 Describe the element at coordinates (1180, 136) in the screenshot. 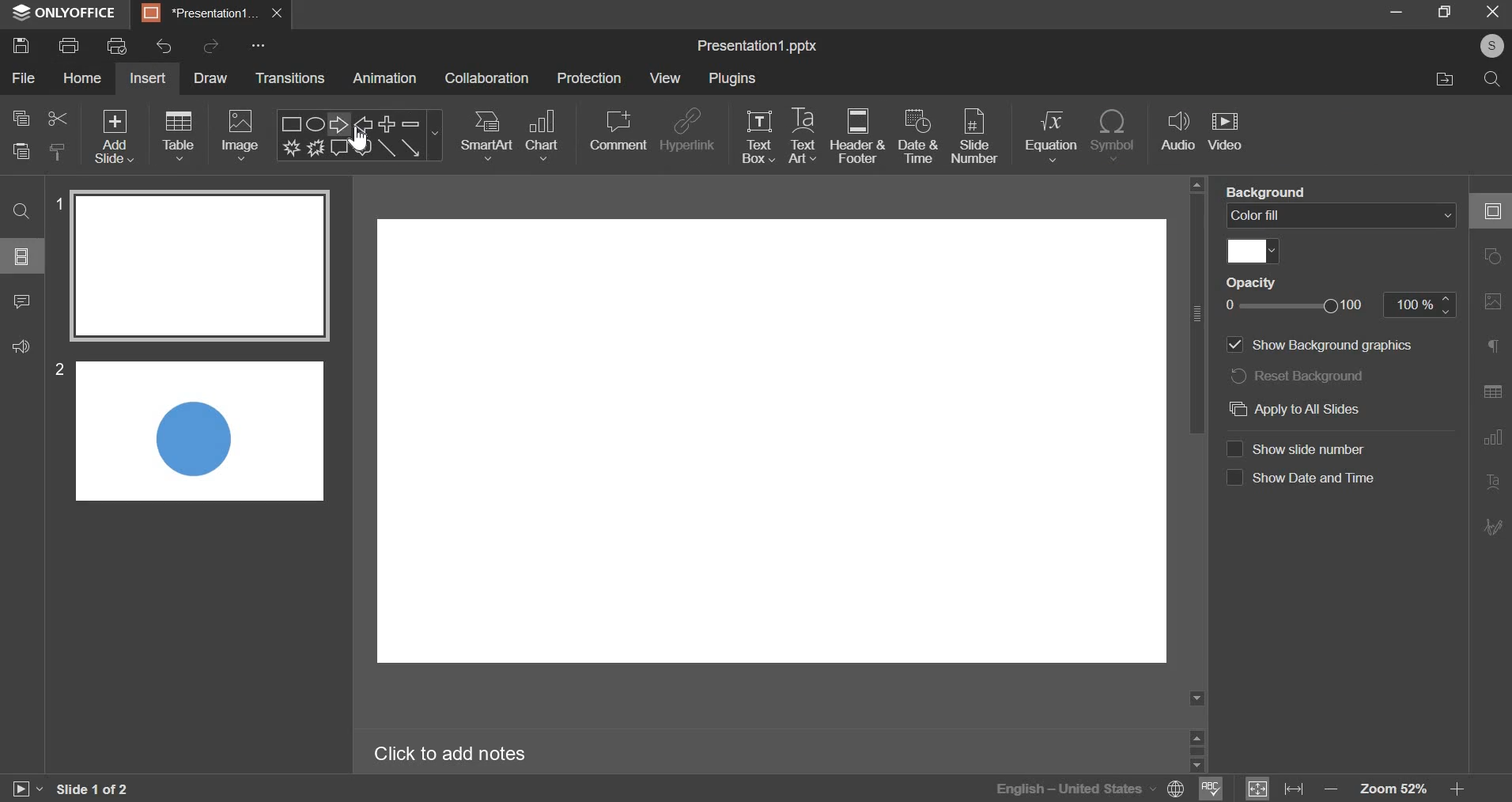

I see `audio` at that location.